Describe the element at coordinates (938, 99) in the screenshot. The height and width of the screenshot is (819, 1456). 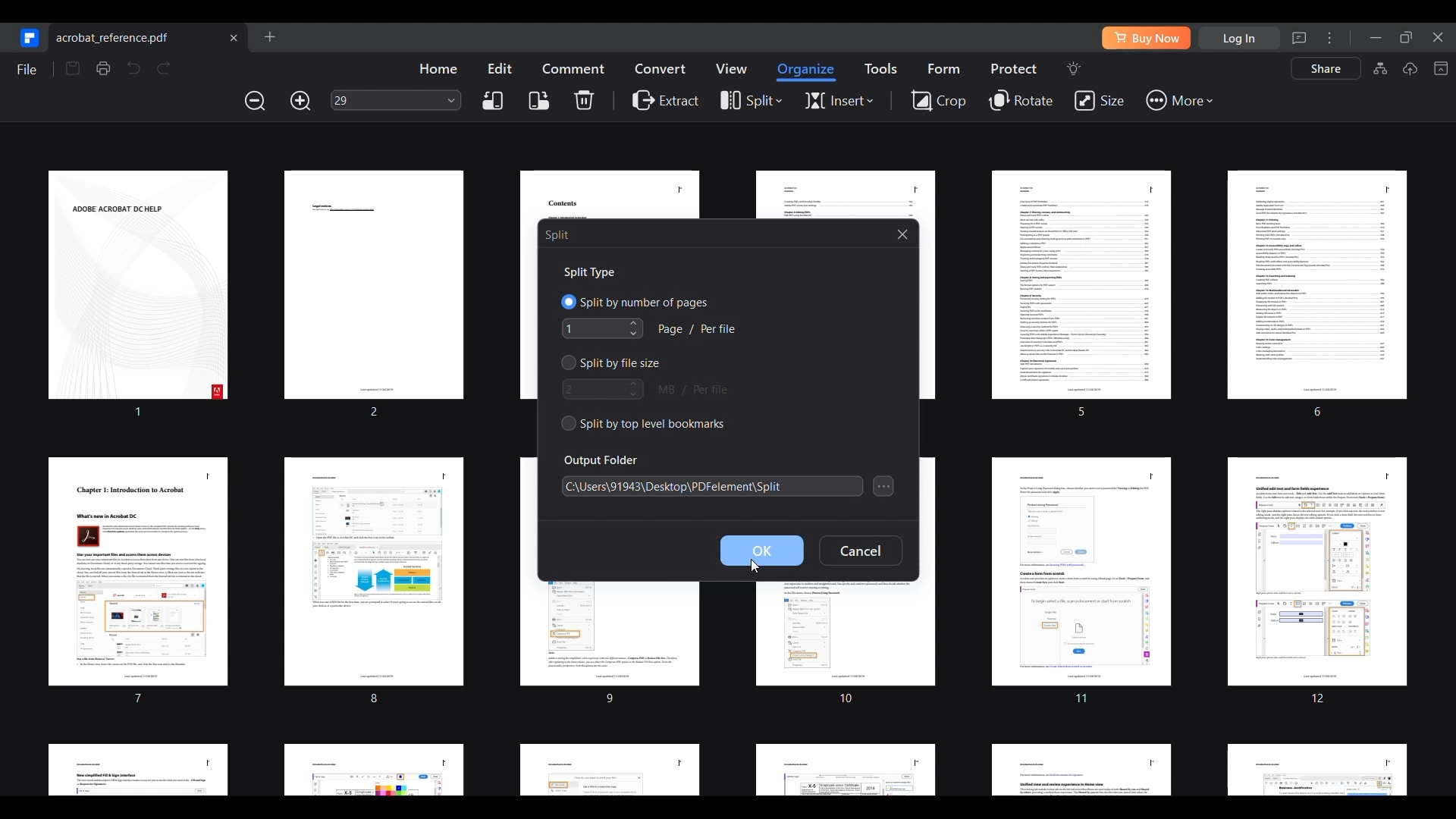
I see `Crop page` at that location.